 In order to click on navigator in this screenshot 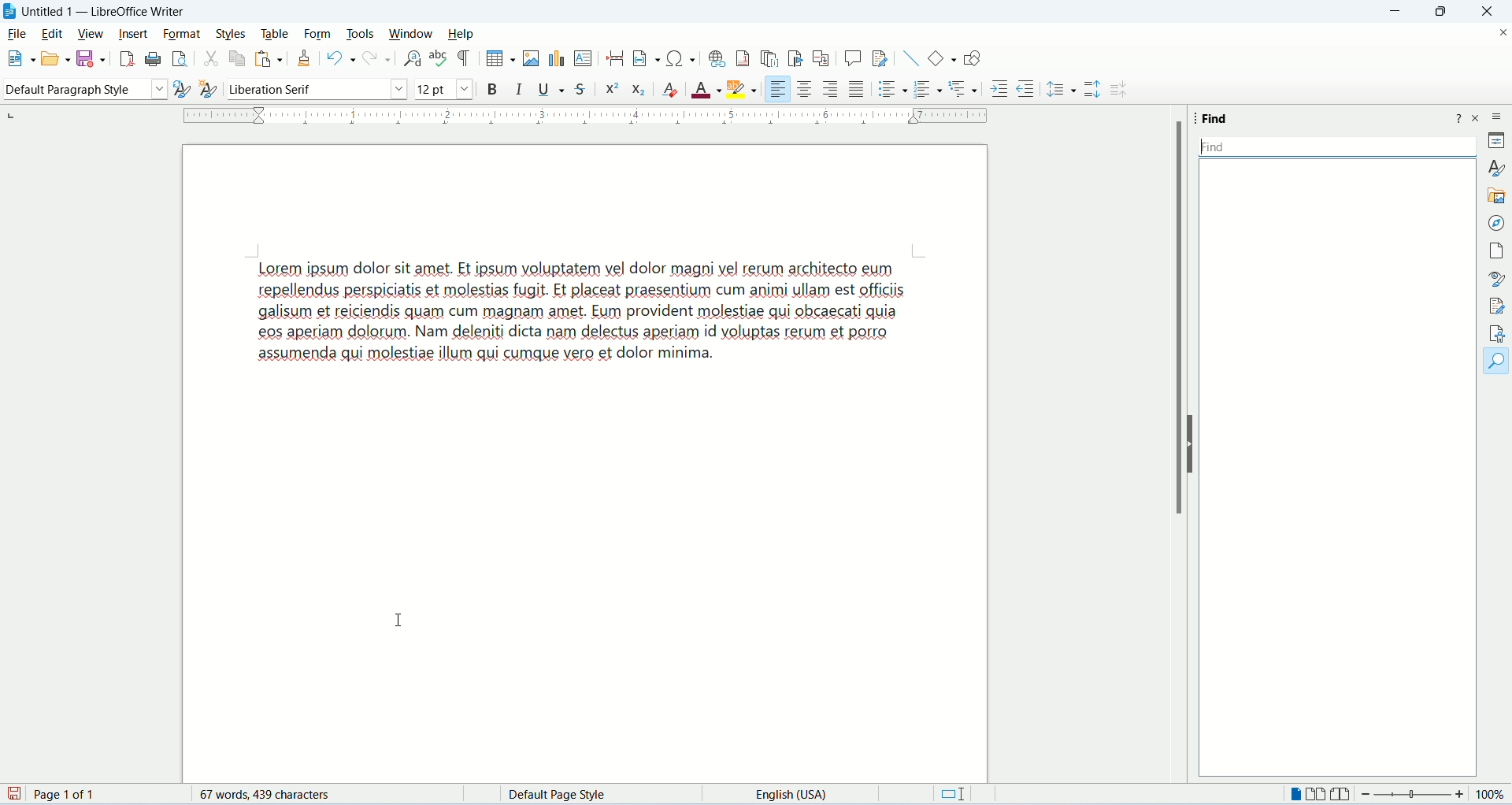, I will do `click(1495, 224)`.